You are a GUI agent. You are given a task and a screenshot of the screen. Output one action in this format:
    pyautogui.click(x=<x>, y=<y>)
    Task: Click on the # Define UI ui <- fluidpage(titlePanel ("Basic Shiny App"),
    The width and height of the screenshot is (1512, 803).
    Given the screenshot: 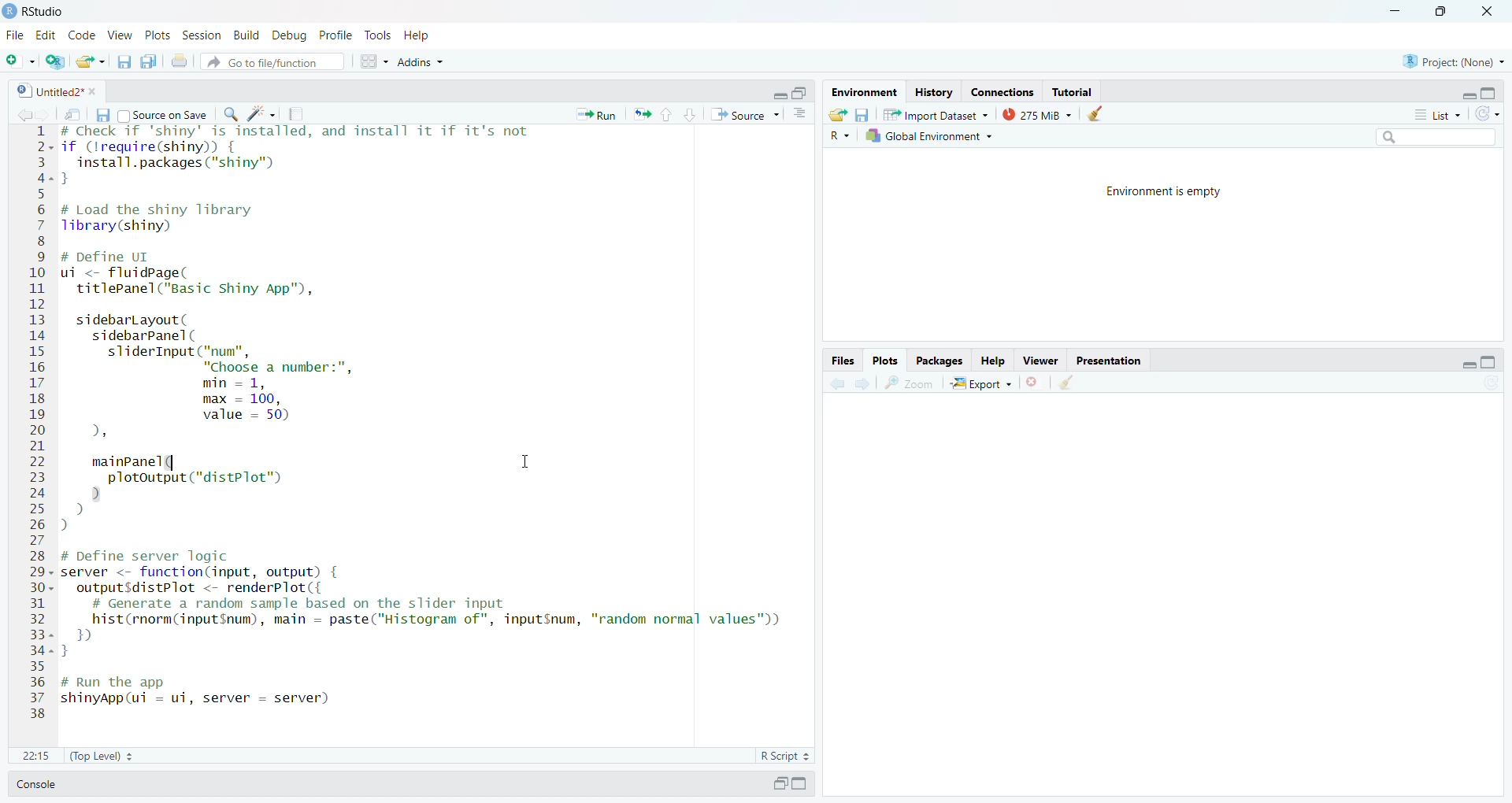 What is the action you would take?
    pyautogui.click(x=195, y=275)
    